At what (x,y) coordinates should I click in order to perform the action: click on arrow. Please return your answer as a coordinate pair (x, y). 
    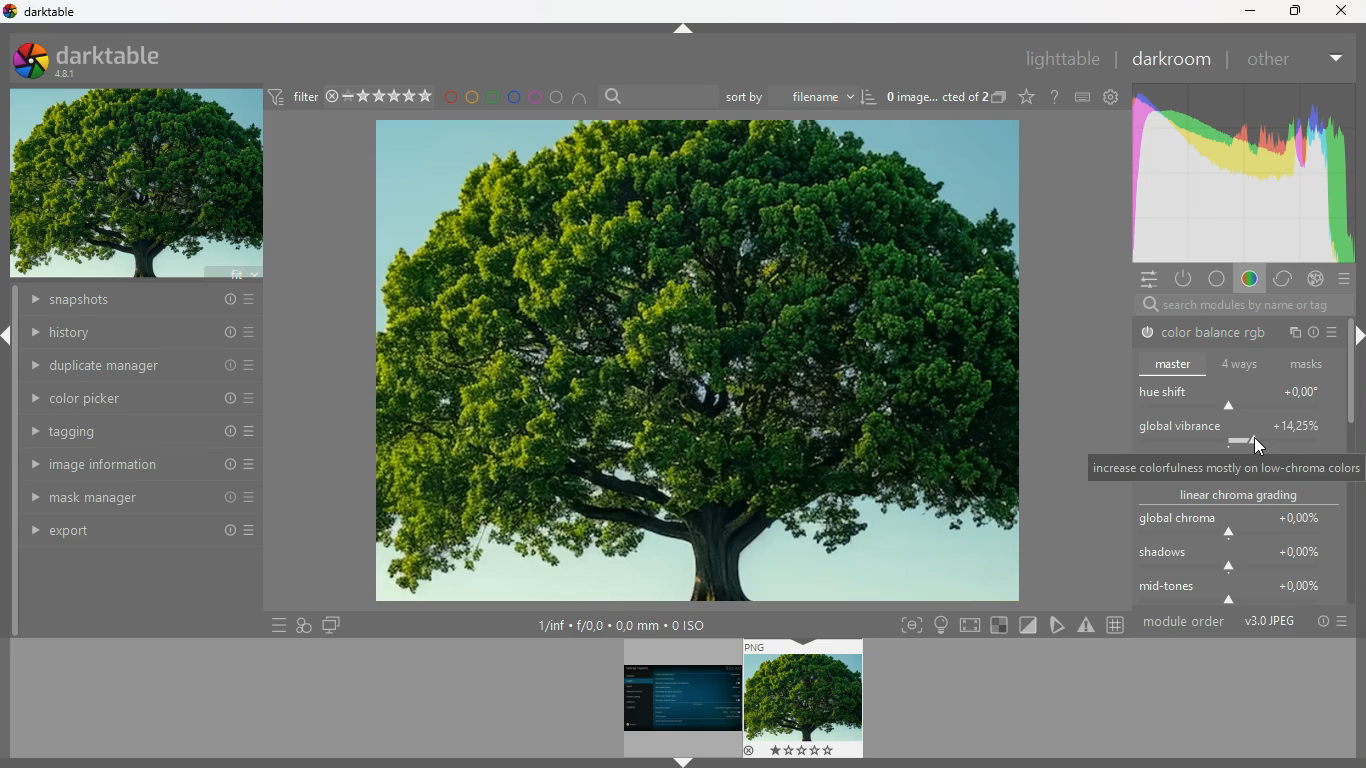
    Looking at the image, I should click on (683, 763).